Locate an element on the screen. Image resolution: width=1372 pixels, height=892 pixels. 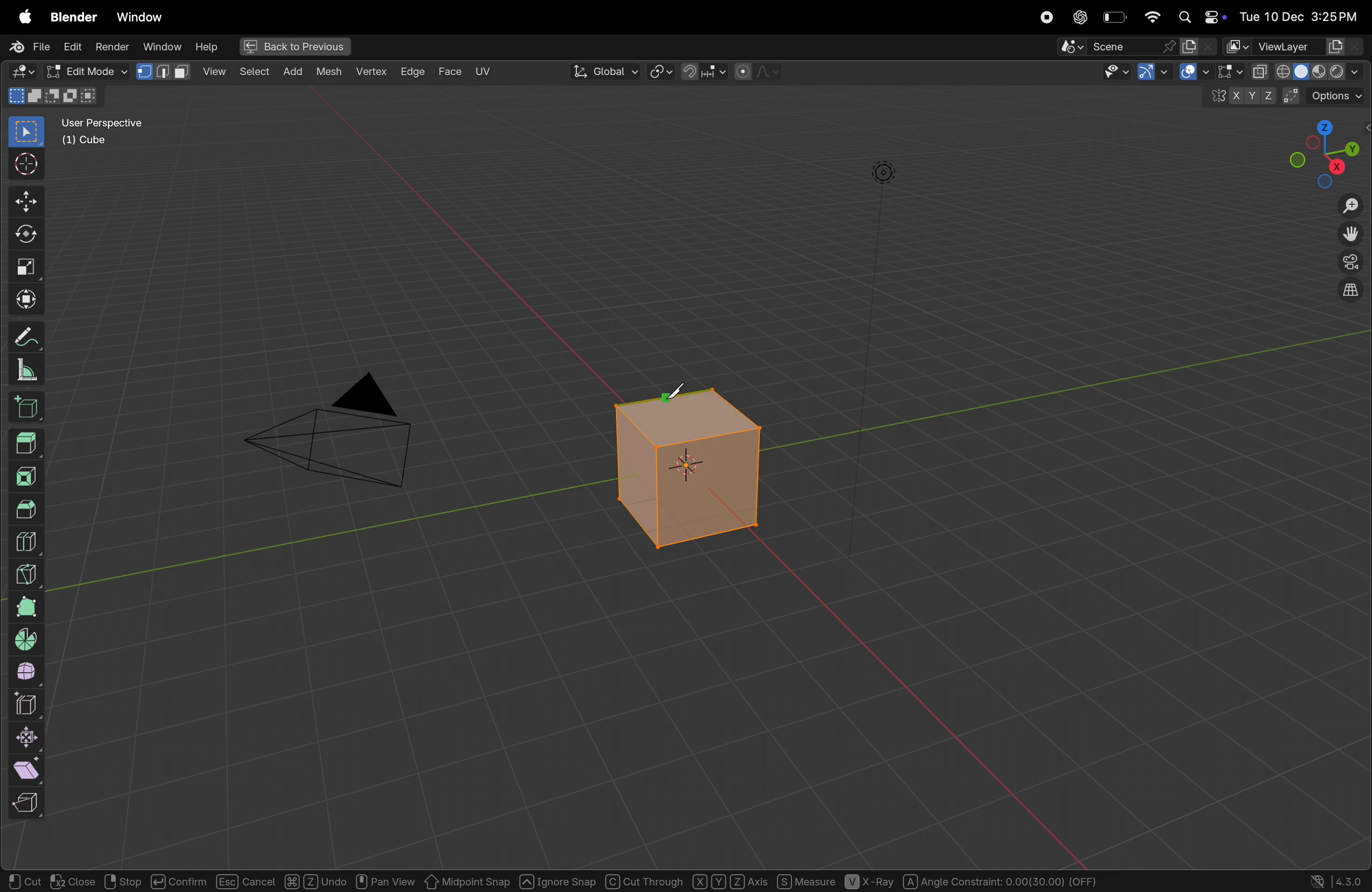
file is located at coordinates (26, 46).